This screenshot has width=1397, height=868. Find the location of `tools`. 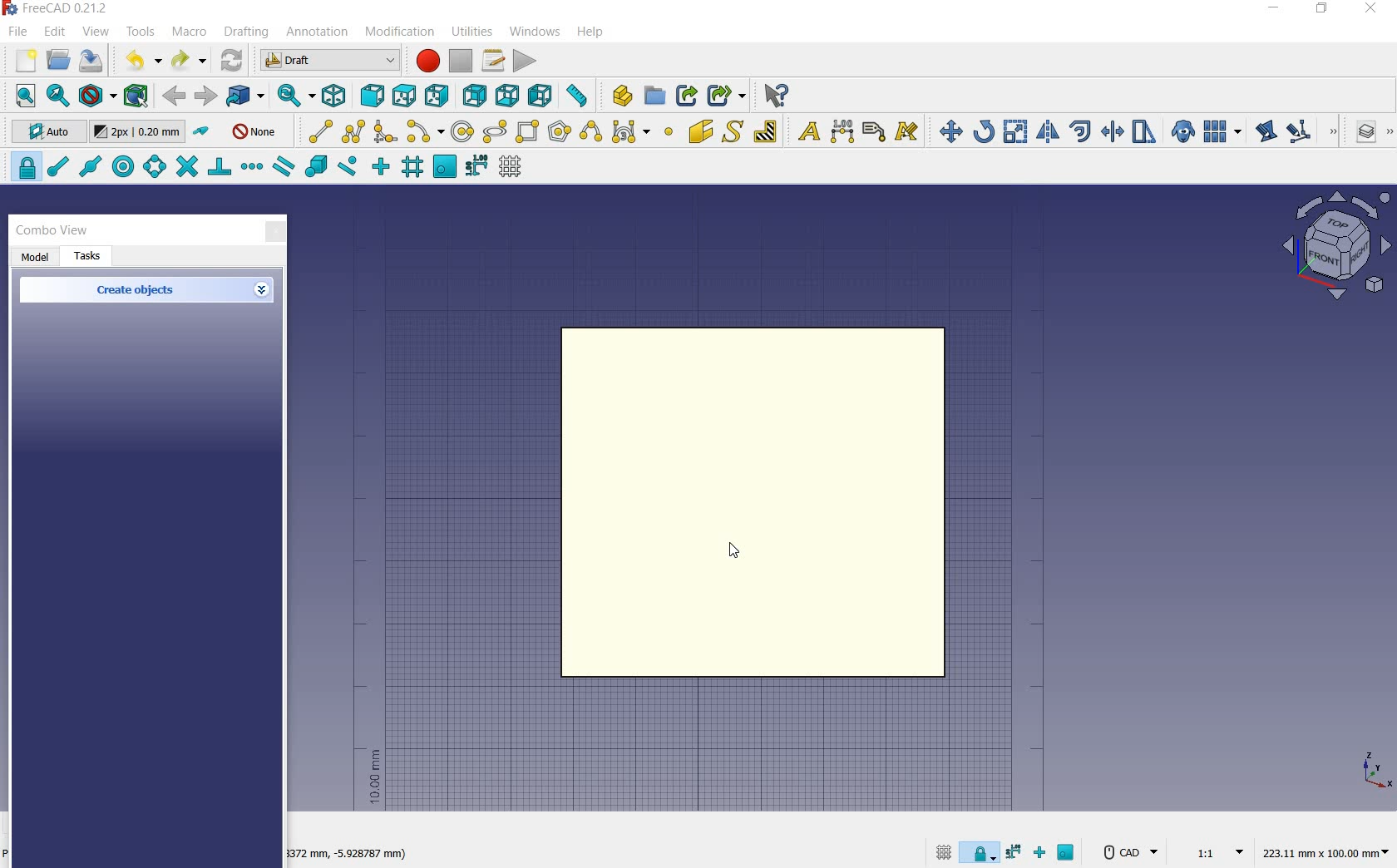

tools is located at coordinates (141, 31).